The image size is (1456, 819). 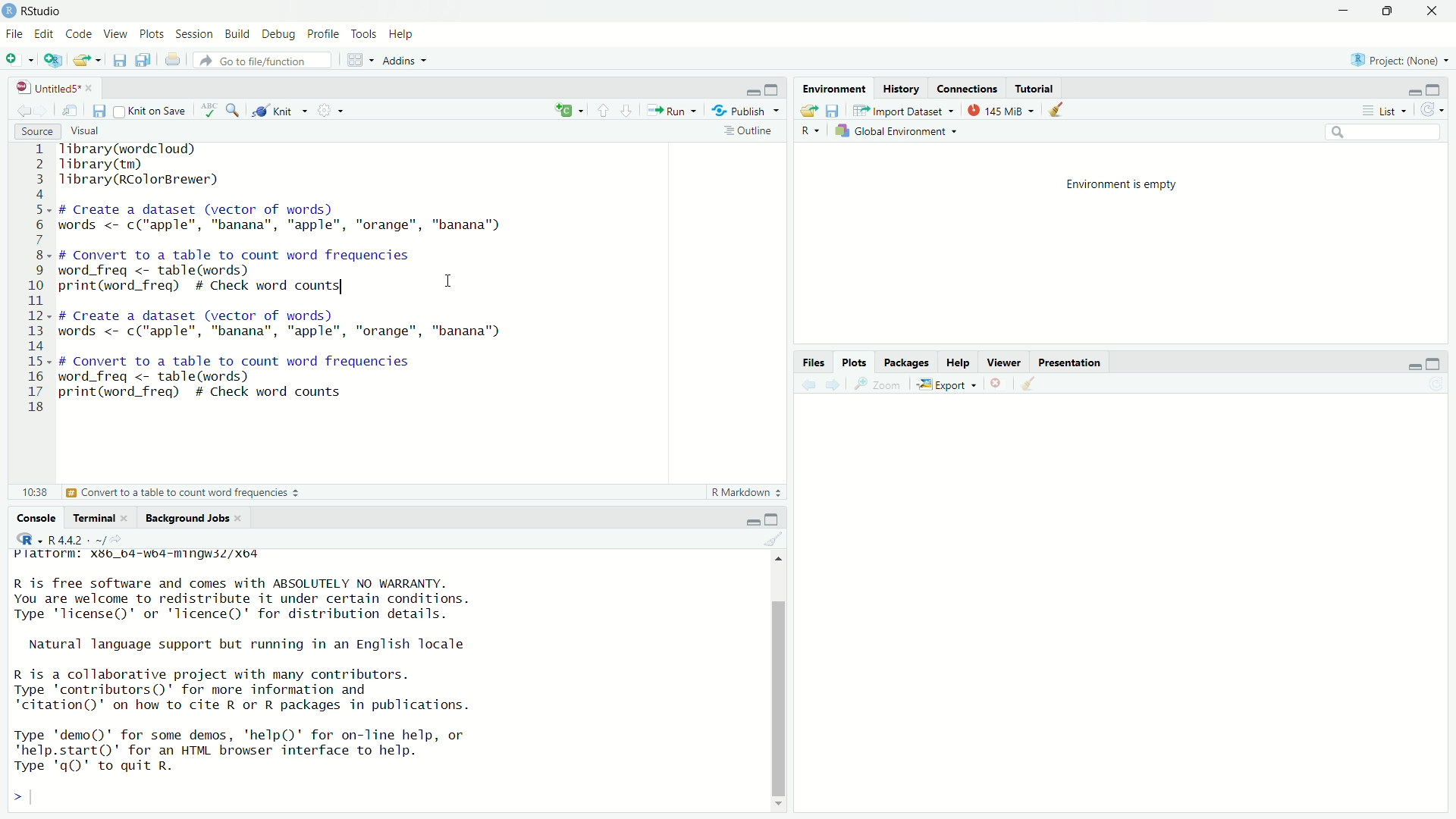 What do you see at coordinates (284, 274) in the screenshot?
I see `1ibrary(wordcioud)> Tibrary(tm)3 Tlibrary(RColorBrewer)45- # Create a dataset (vector of words)5 words <- c("apple", "banana", "apple", "orange", "banana")F8. # Convert to a table to count word frequencies) word_freq <- table(words)) print(word_freq) # Check word counts IL2- # Create a dataset (vector of words)3 words <- c("apple", "banana", "apple", "orange", "banana")45« # Convert to a table to count word frequencies5 word_freq <- table(words)7 print(word_freq) # Check word counts.` at bounding box center [284, 274].